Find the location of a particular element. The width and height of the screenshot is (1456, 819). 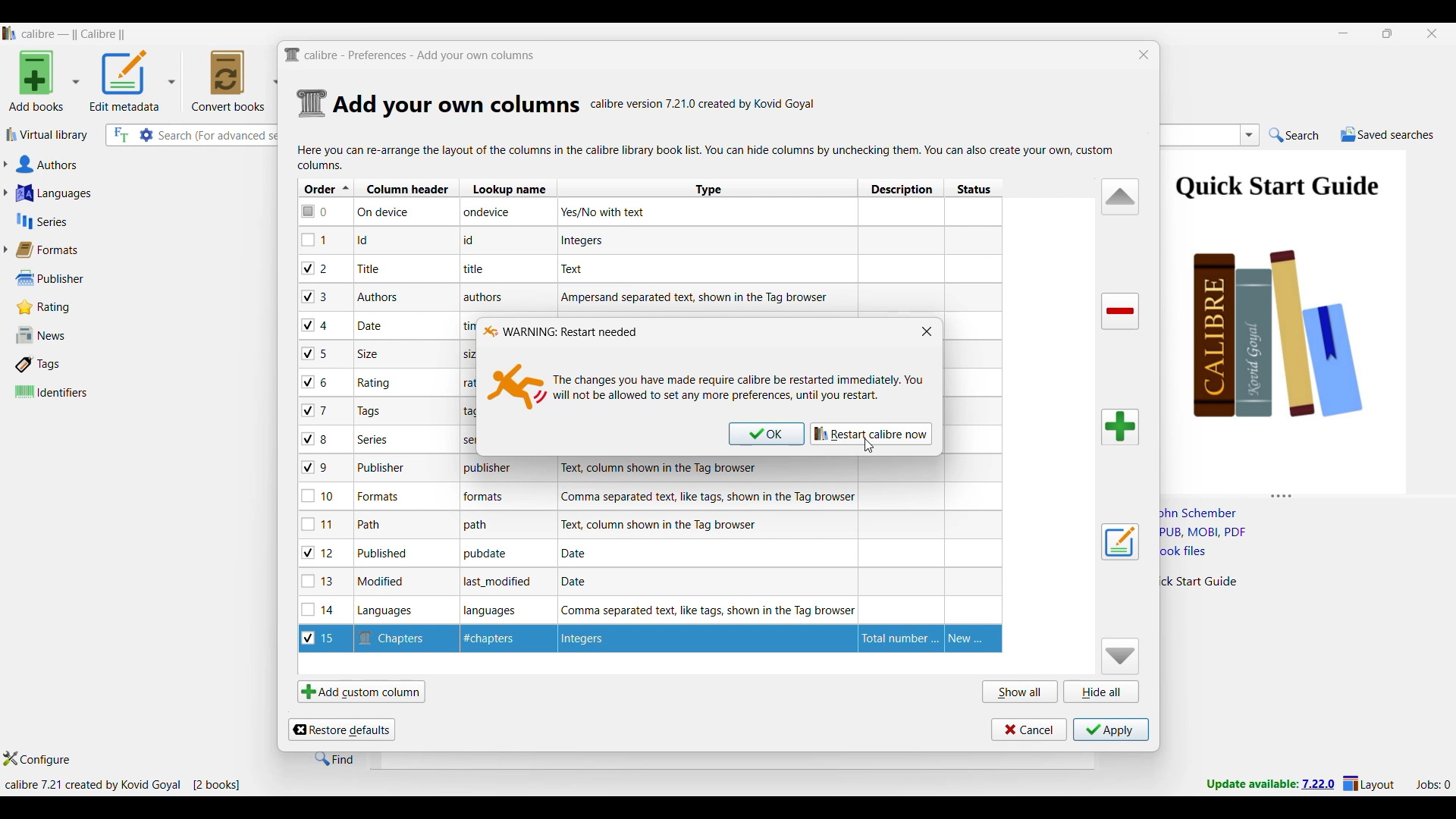

checkbox - 5 is located at coordinates (321, 353).